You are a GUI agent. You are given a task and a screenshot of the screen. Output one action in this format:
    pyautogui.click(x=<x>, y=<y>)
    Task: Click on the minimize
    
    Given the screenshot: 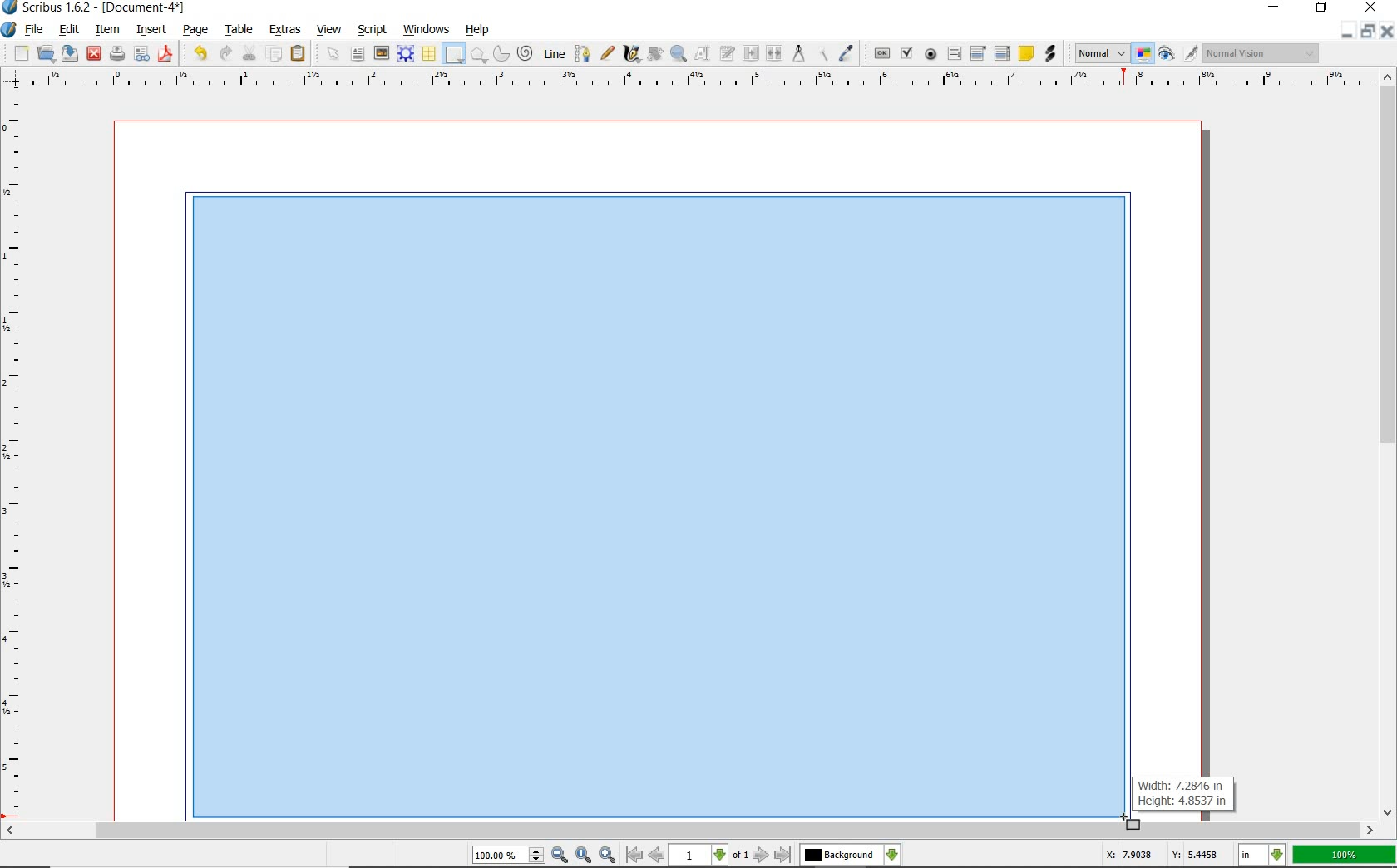 What is the action you would take?
    pyautogui.click(x=1350, y=32)
    